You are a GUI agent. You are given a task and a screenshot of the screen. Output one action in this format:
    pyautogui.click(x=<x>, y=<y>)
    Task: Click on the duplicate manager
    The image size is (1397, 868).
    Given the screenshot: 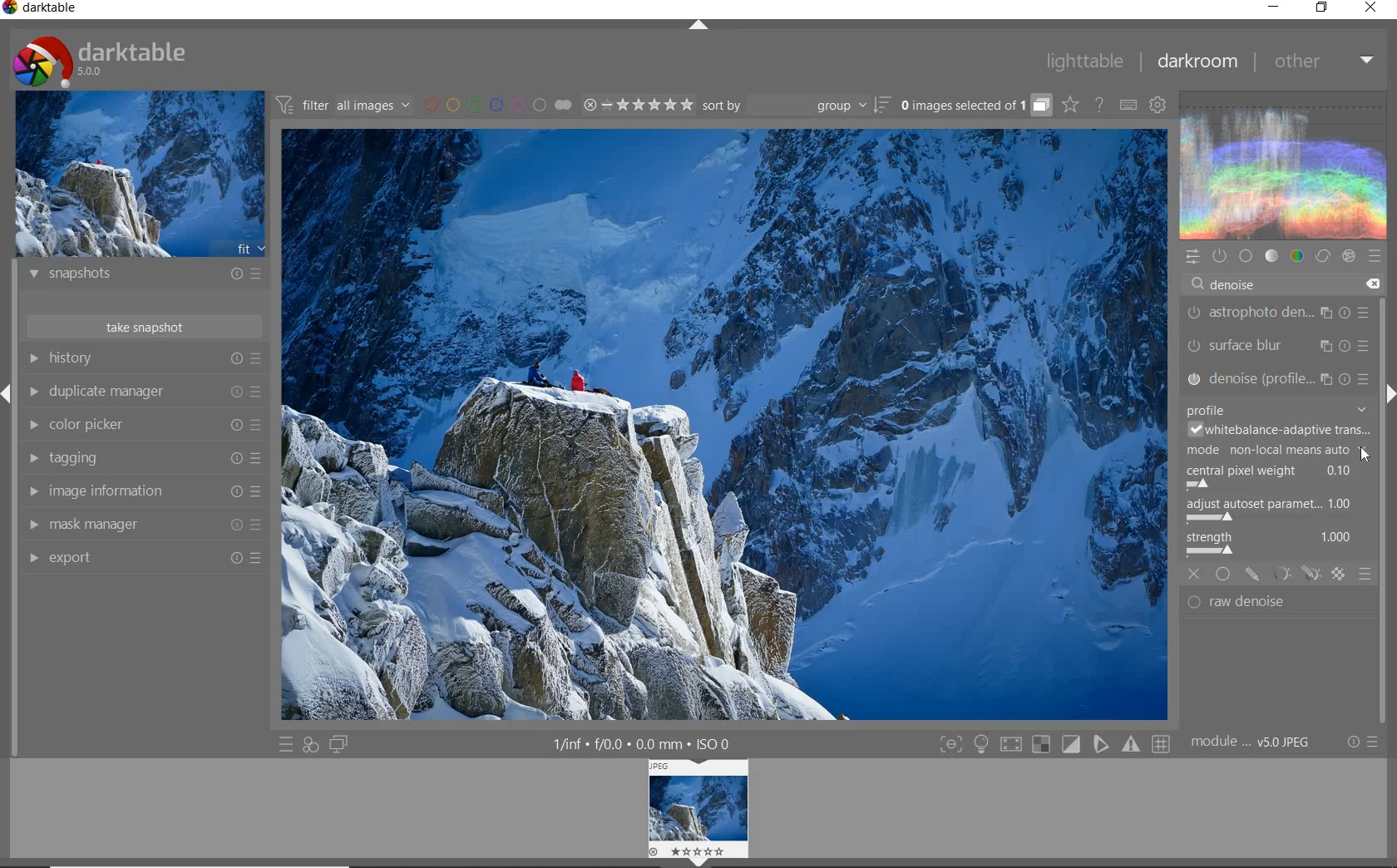 What is the action you would take?
    pyautogui.click(x=143, y=392)
    